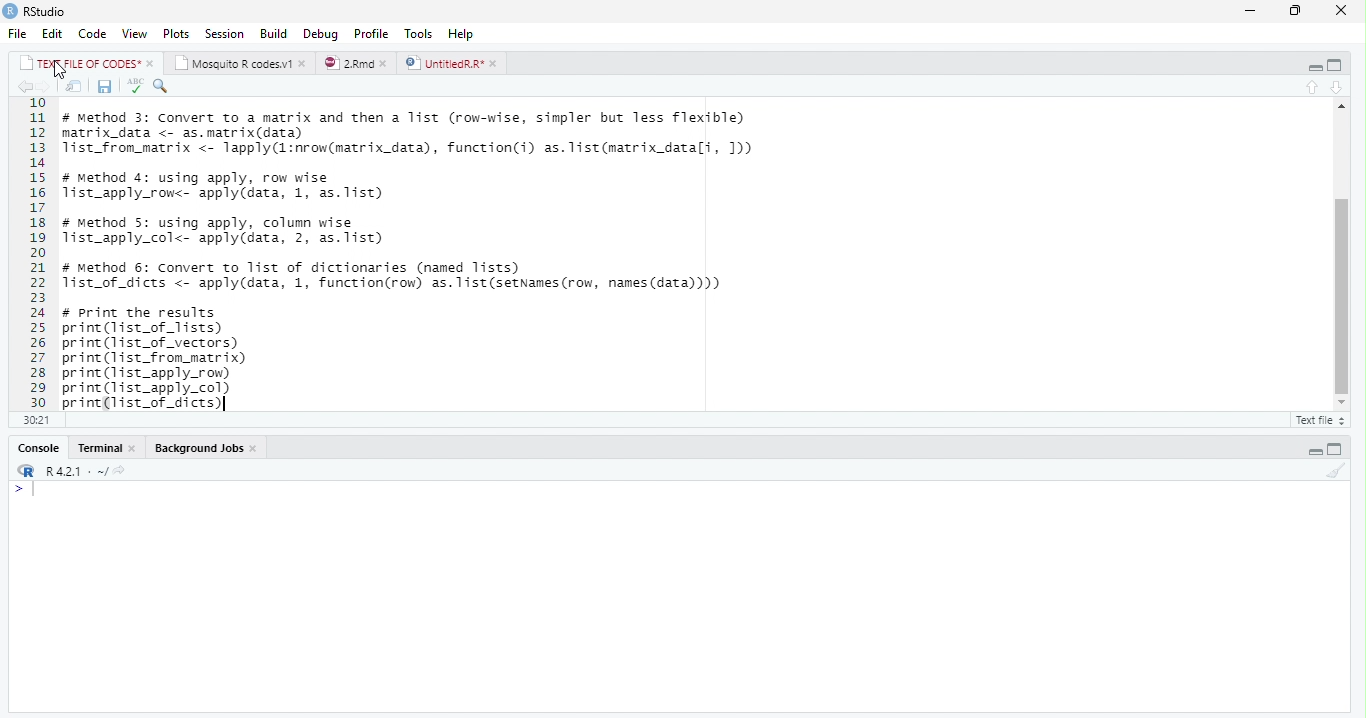  What do you see at coordinates (20, 33) in the screenshot?
I see `File` at bounding box center [20, 33].